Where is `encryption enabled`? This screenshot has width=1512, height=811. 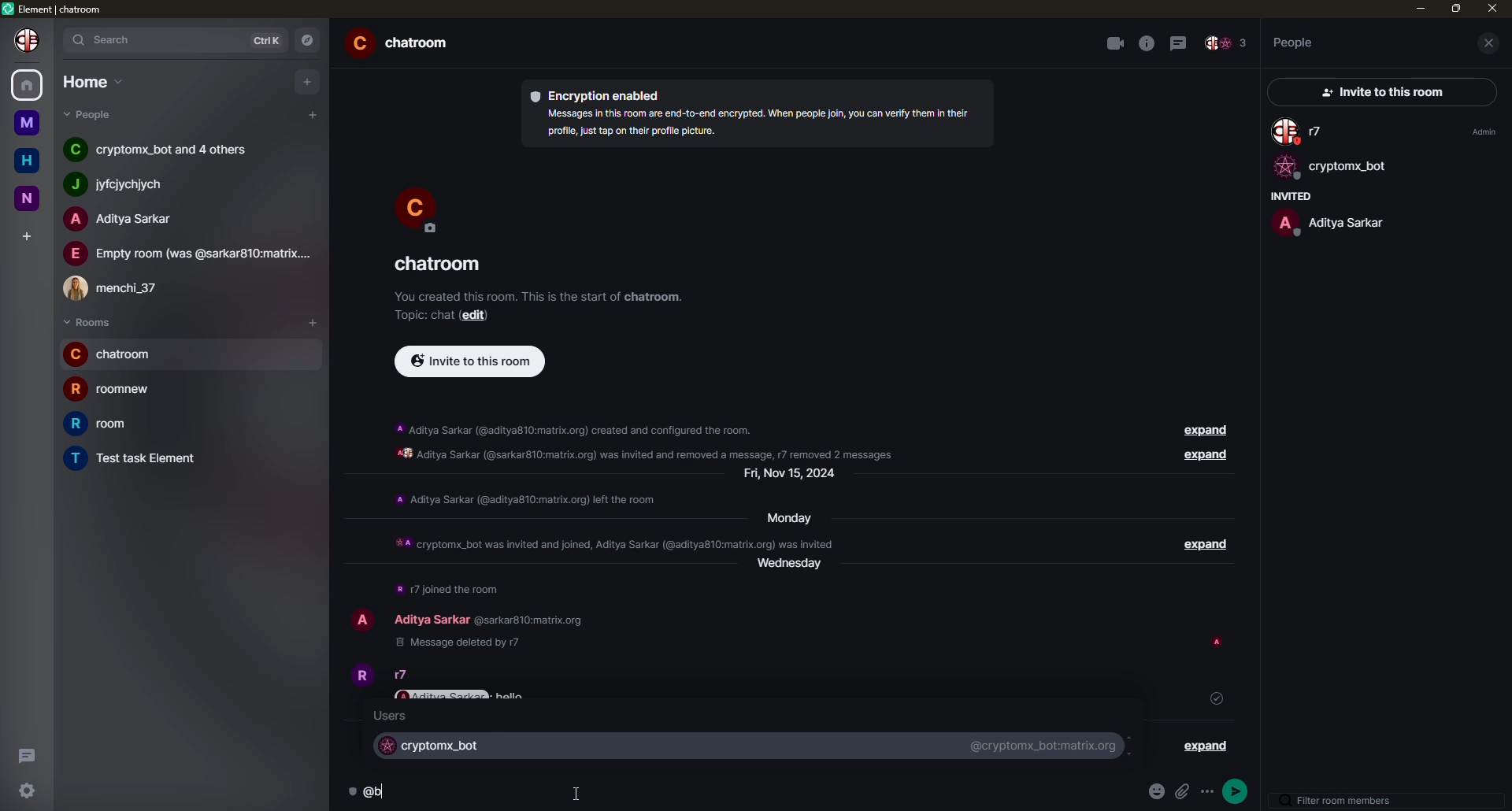
encryption enabled is located at coordinates (601, 94).